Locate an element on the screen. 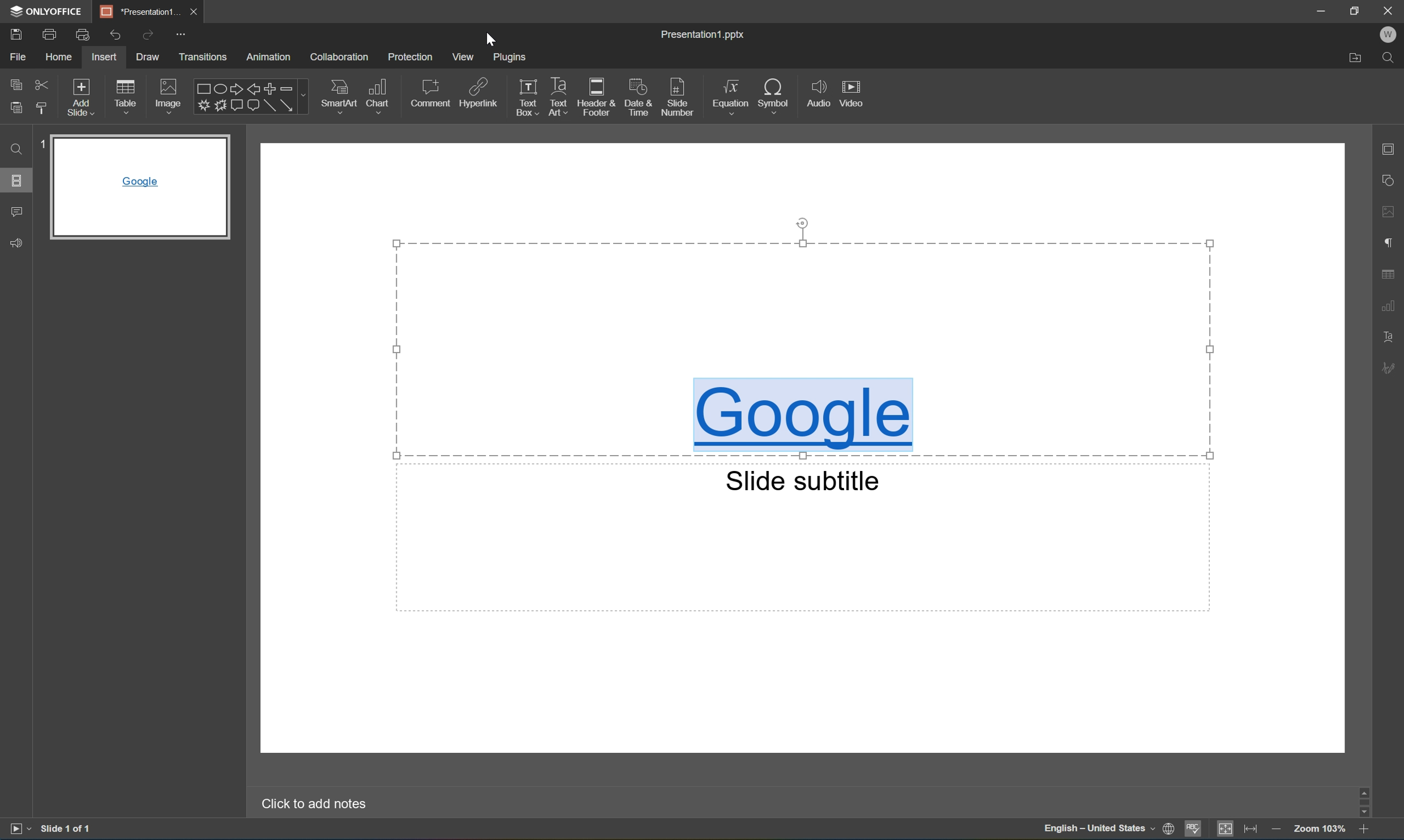  Start slideshow is located at coordinates (16, 832).